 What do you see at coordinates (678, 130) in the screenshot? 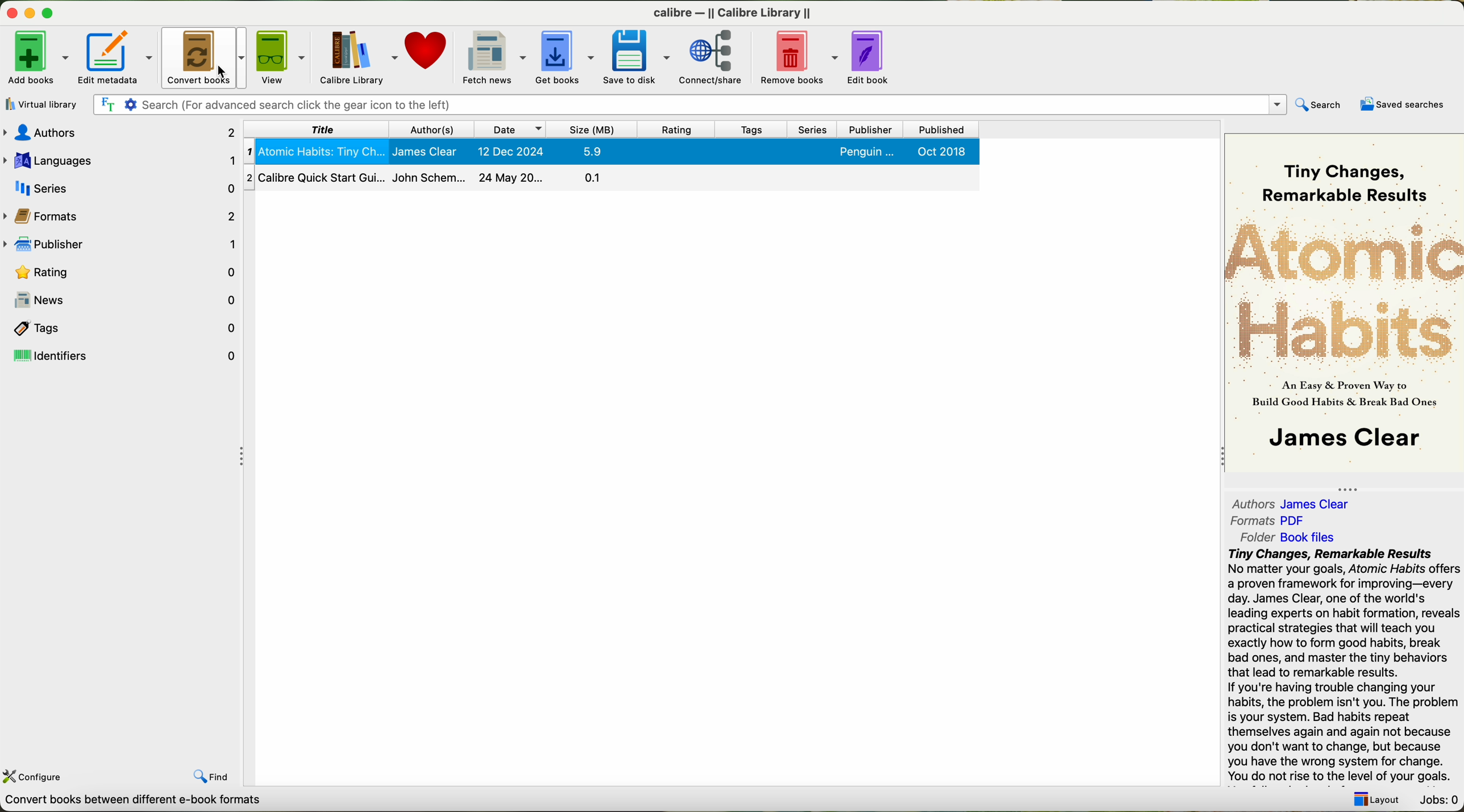
I see `rating` at bounding box center [678, 130].